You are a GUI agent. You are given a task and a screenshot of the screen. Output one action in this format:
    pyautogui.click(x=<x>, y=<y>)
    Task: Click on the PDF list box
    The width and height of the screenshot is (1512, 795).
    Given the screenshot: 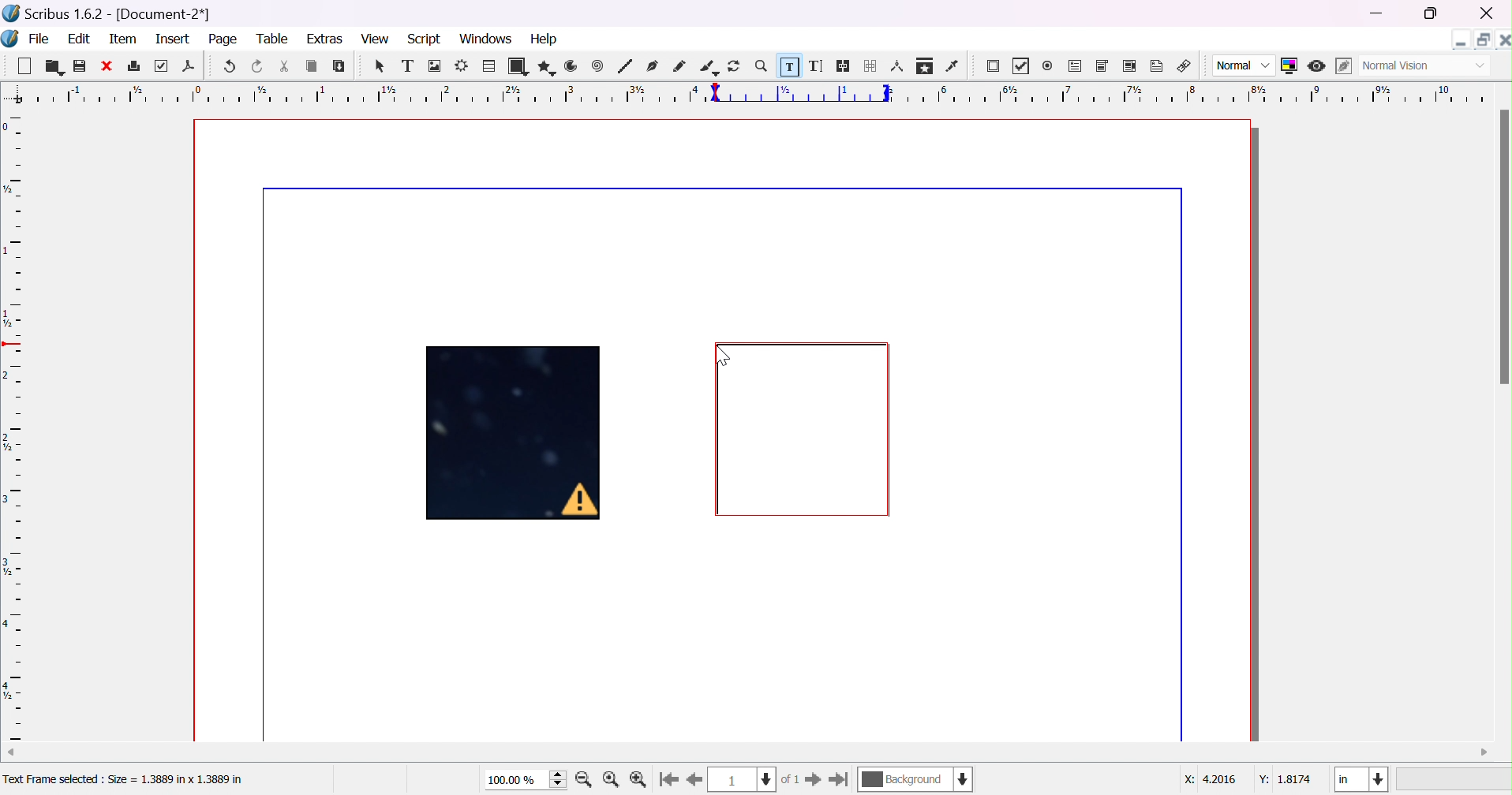 What is the action you would take?
    pyautogui.click(x=1128, y=65)
    